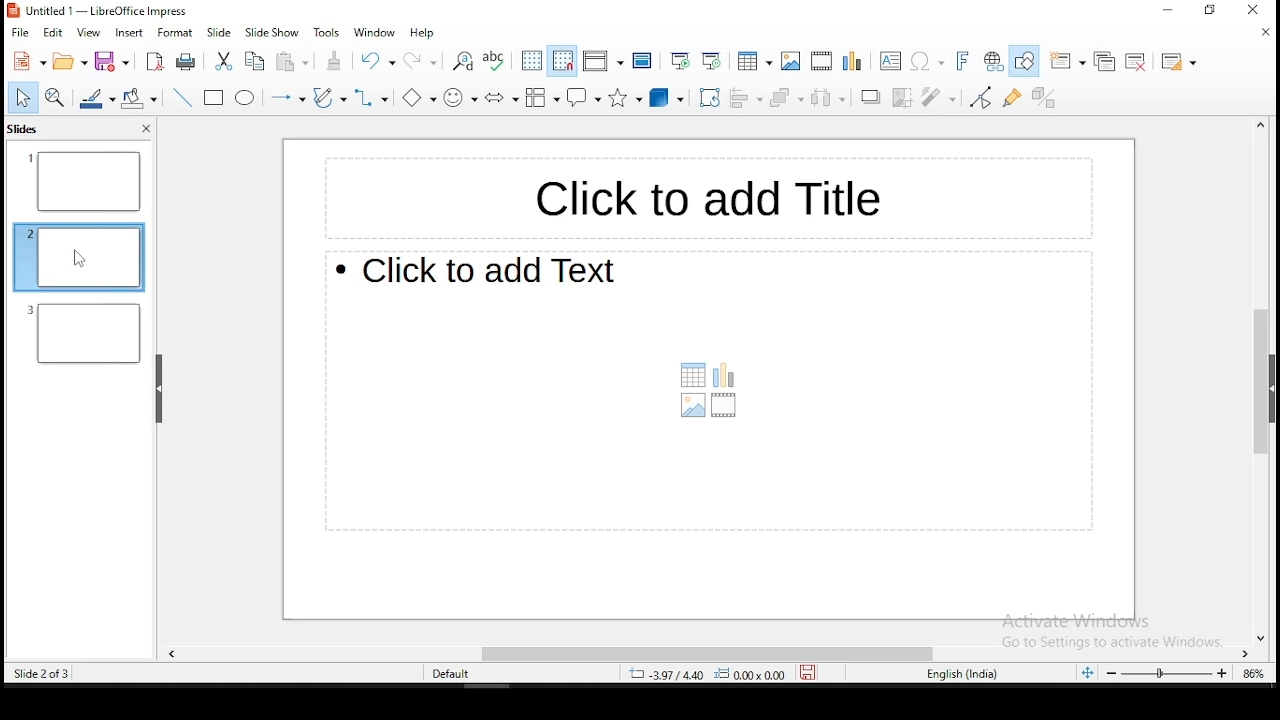 This screenshot has width=1280, height=720. I want to click on english (india), so click(963, 674).